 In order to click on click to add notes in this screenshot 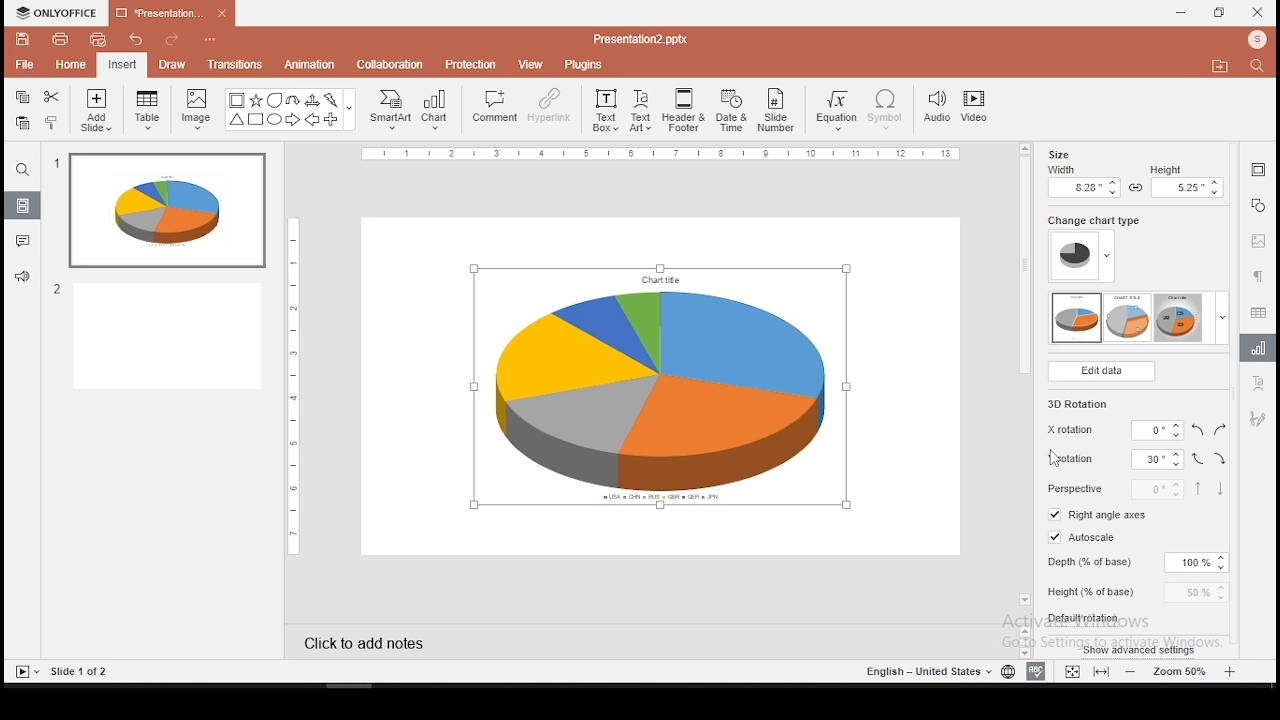, I will do `click(364, 640)`.